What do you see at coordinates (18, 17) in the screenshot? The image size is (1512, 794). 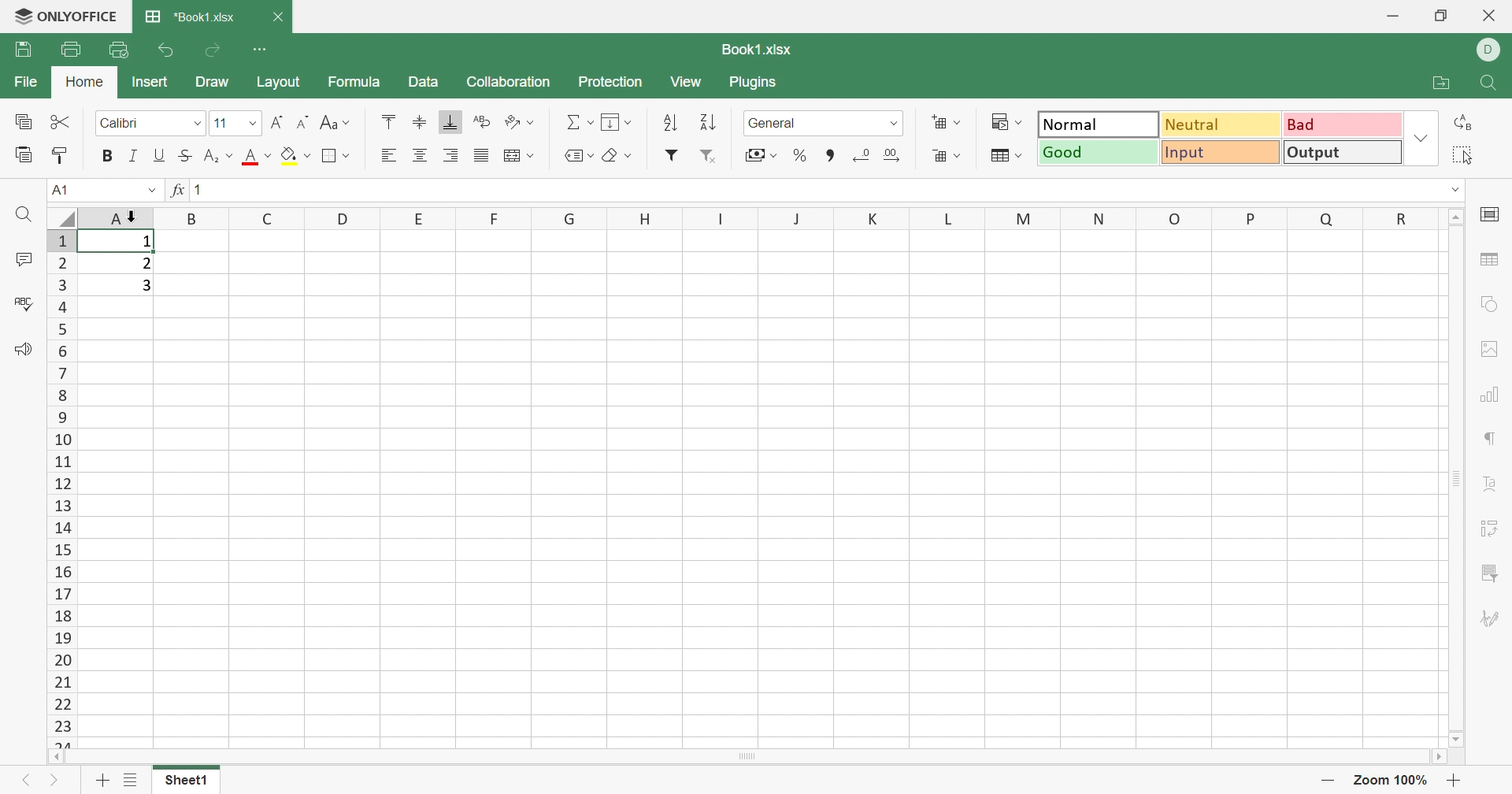 I see `logo` at bounding box center [18, 17].